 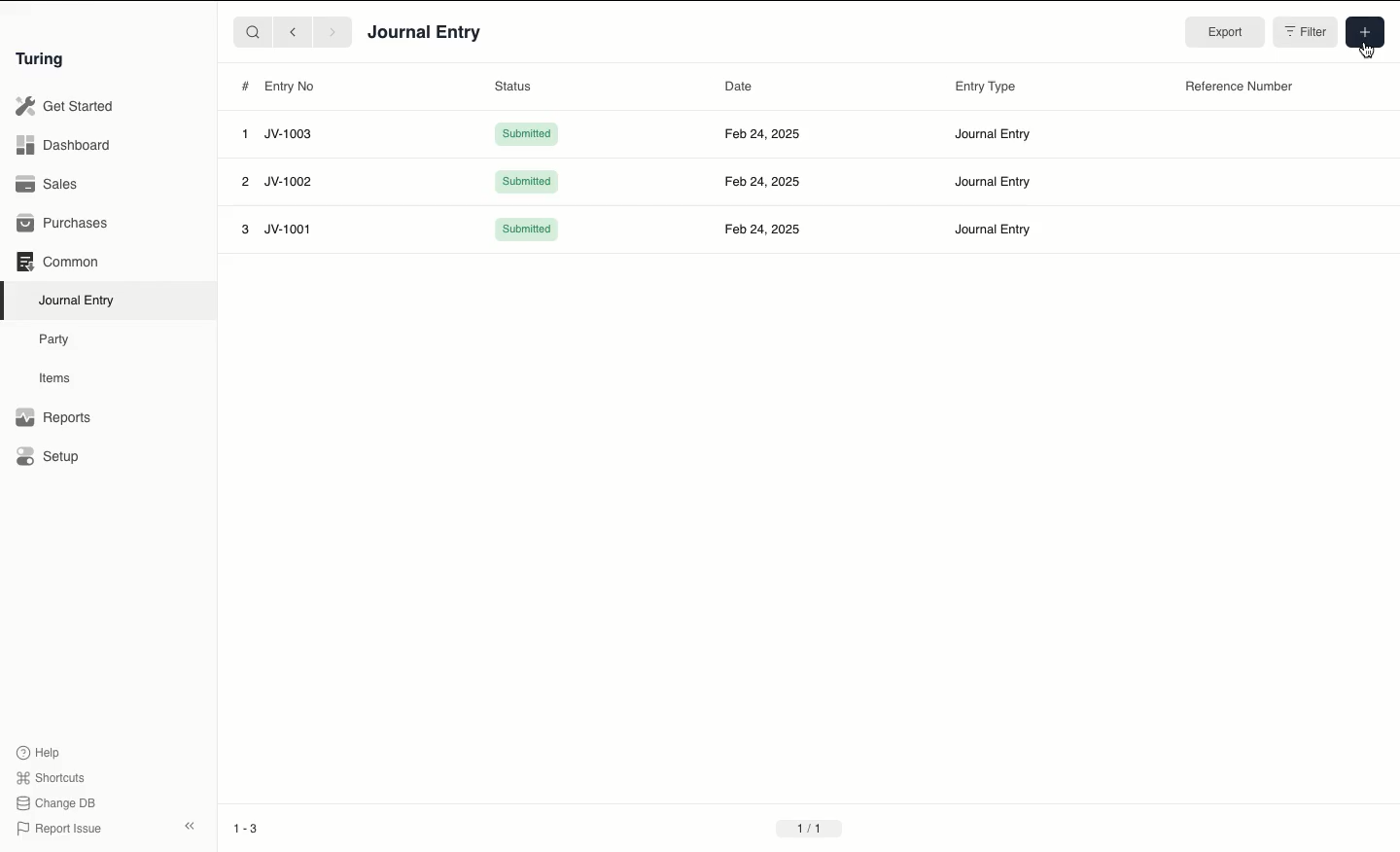 What do you see at coordinates (247, 230) in the screenshot?
I see `3` at bounding box center [247, 230].